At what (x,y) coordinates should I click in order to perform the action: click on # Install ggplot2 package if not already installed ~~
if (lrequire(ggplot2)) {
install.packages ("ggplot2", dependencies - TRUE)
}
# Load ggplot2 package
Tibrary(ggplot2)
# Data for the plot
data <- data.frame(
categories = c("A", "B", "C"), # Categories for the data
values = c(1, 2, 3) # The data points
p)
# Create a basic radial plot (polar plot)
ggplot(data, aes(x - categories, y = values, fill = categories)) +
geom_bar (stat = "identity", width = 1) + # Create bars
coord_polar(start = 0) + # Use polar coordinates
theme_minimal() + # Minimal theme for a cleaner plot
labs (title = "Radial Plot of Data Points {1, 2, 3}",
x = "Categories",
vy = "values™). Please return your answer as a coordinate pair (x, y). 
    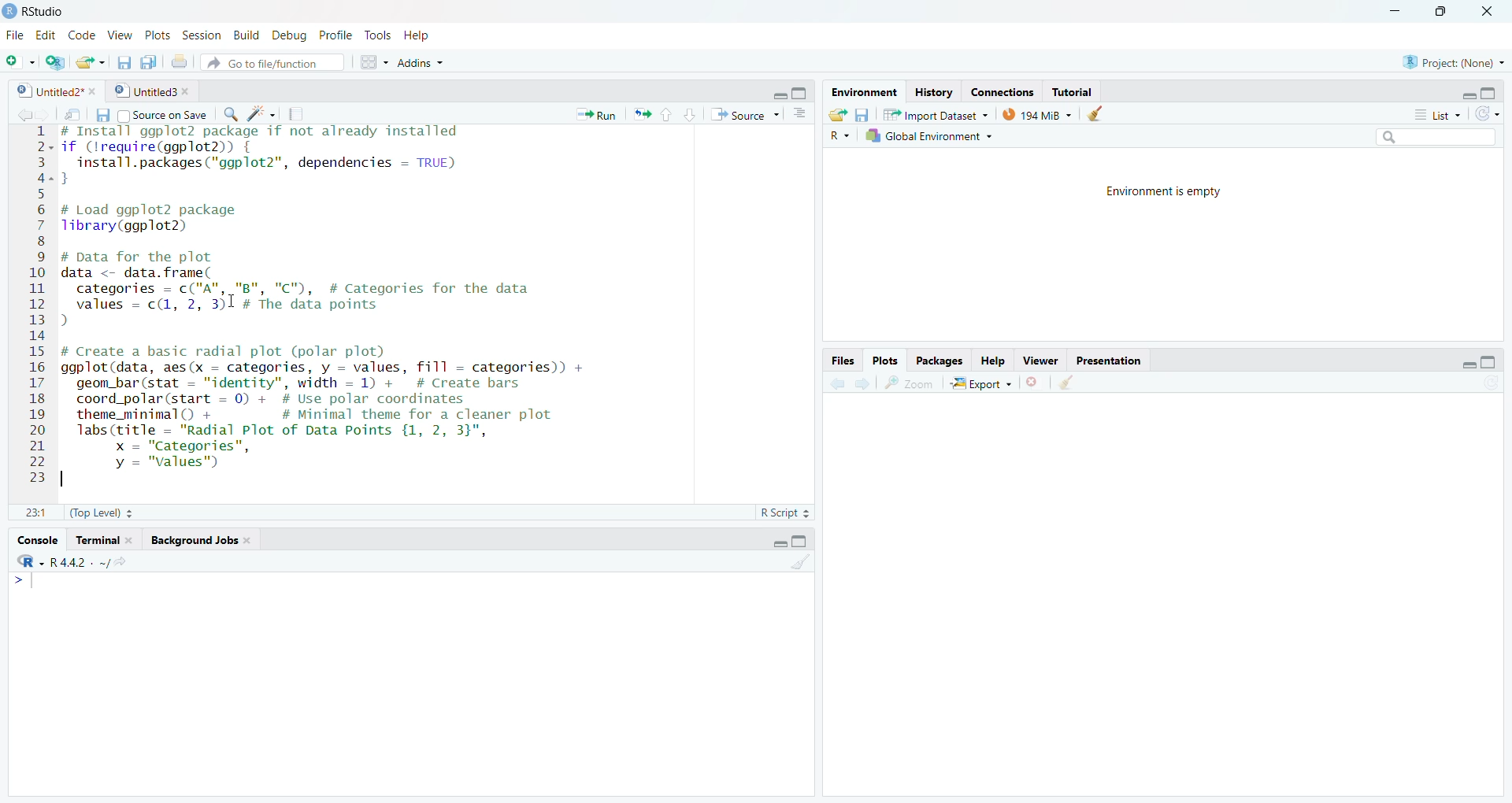
    Looking at the image, I should click on (424, 308).